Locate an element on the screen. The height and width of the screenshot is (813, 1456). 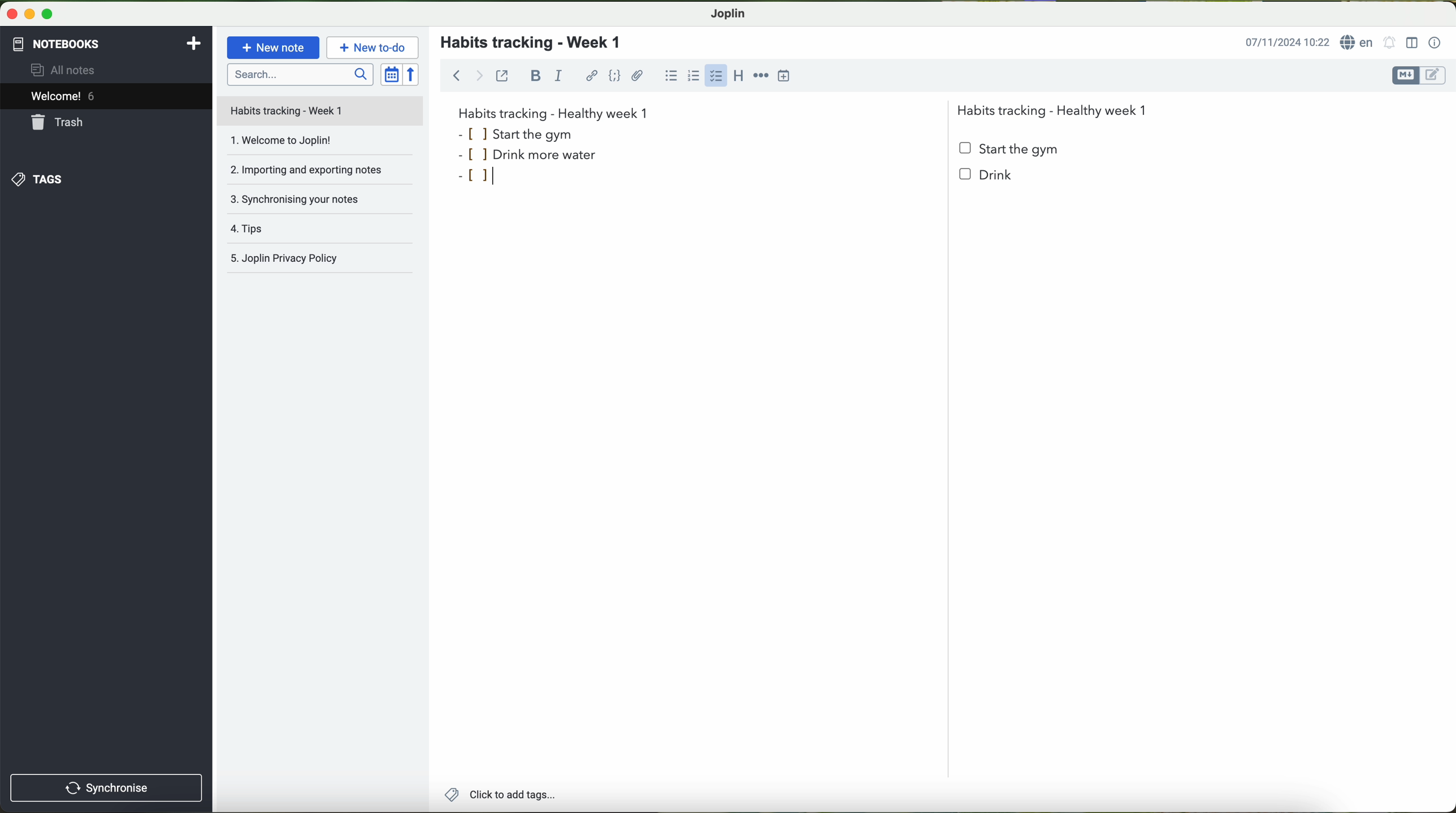
habits tracking - week 1 is located at coordinates (538, 43).